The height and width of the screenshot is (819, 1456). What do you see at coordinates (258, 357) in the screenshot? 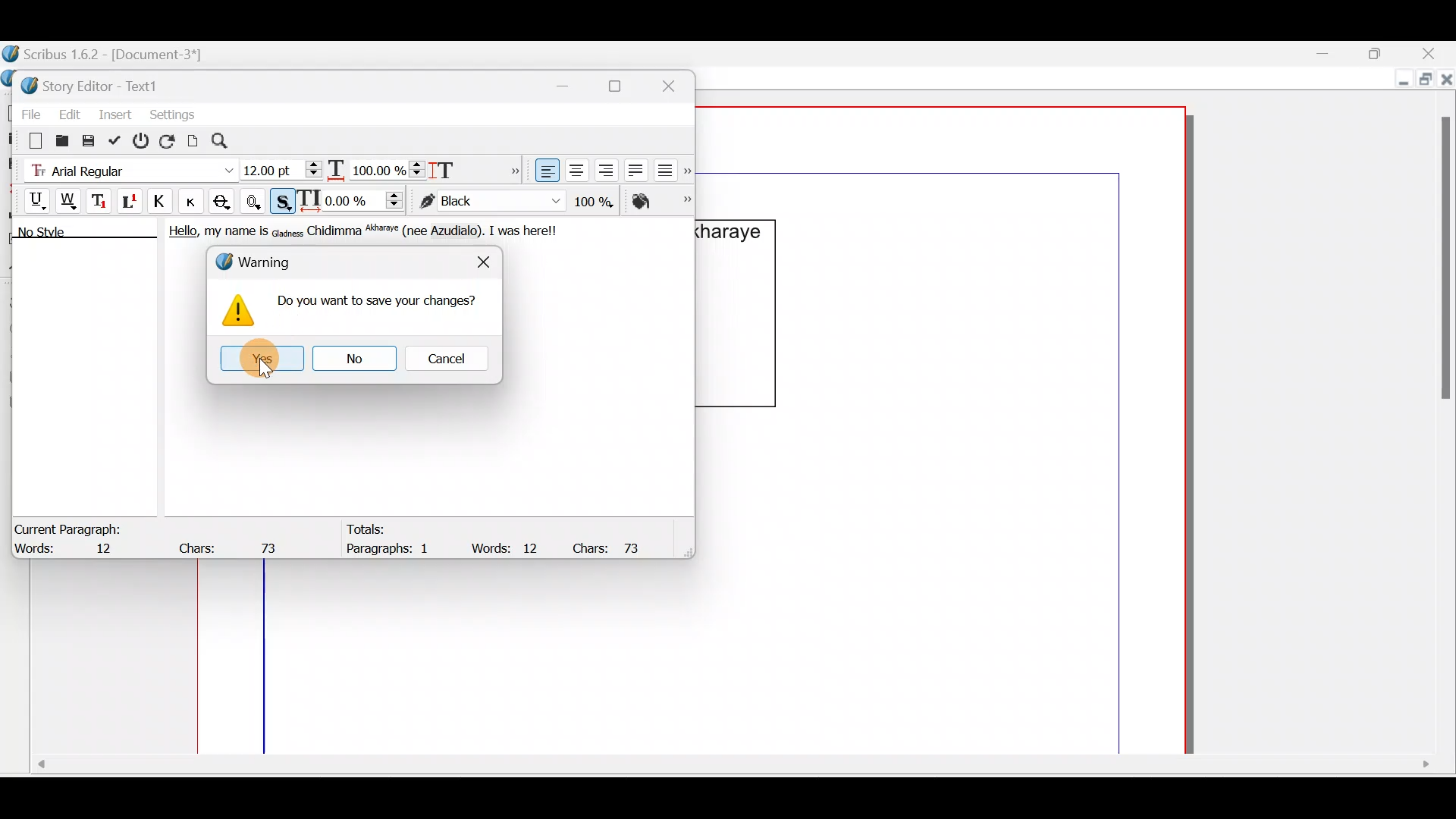
I see `Yes` at bounding box center [258, 357].